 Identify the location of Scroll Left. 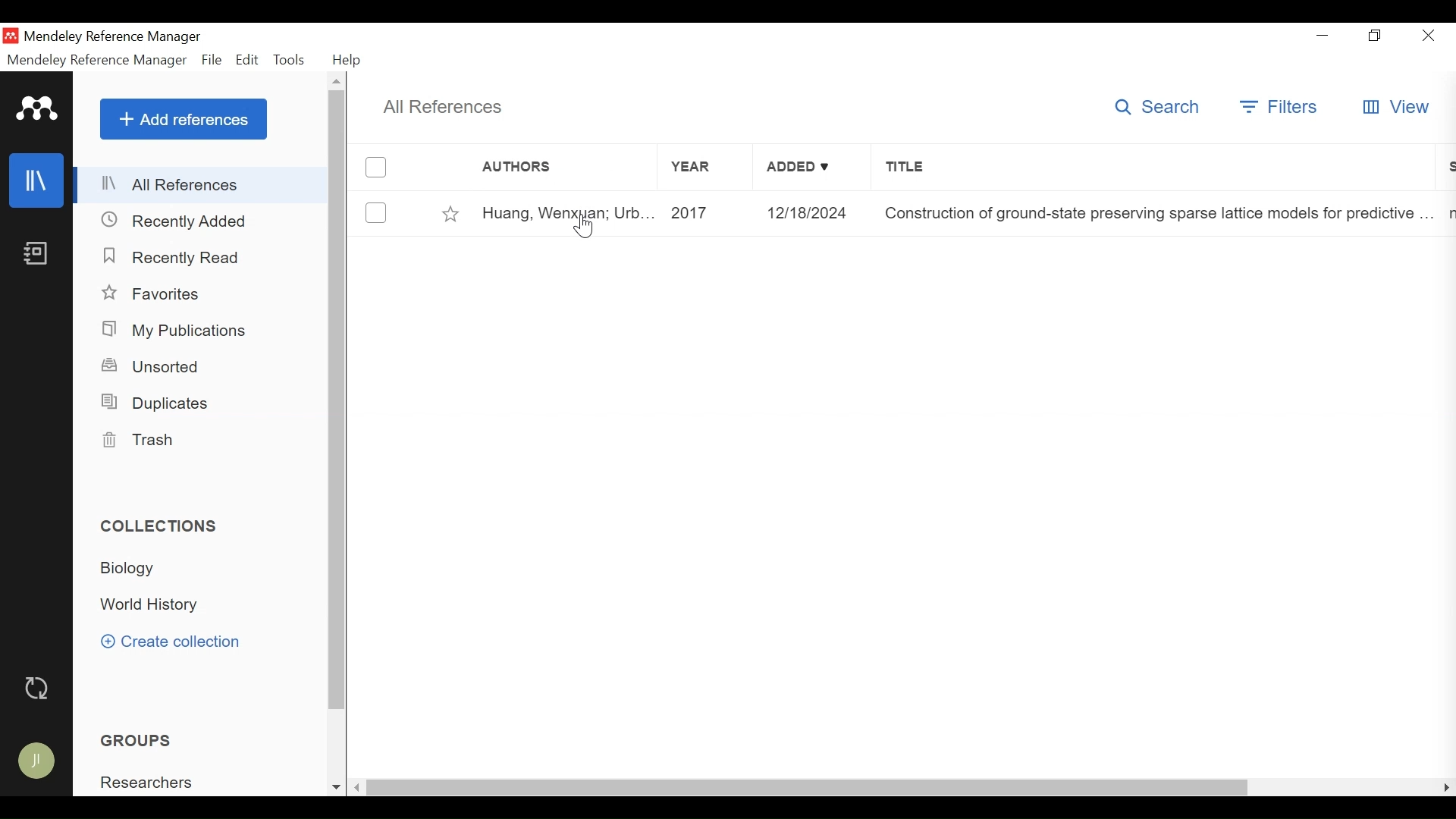
(358, 788).